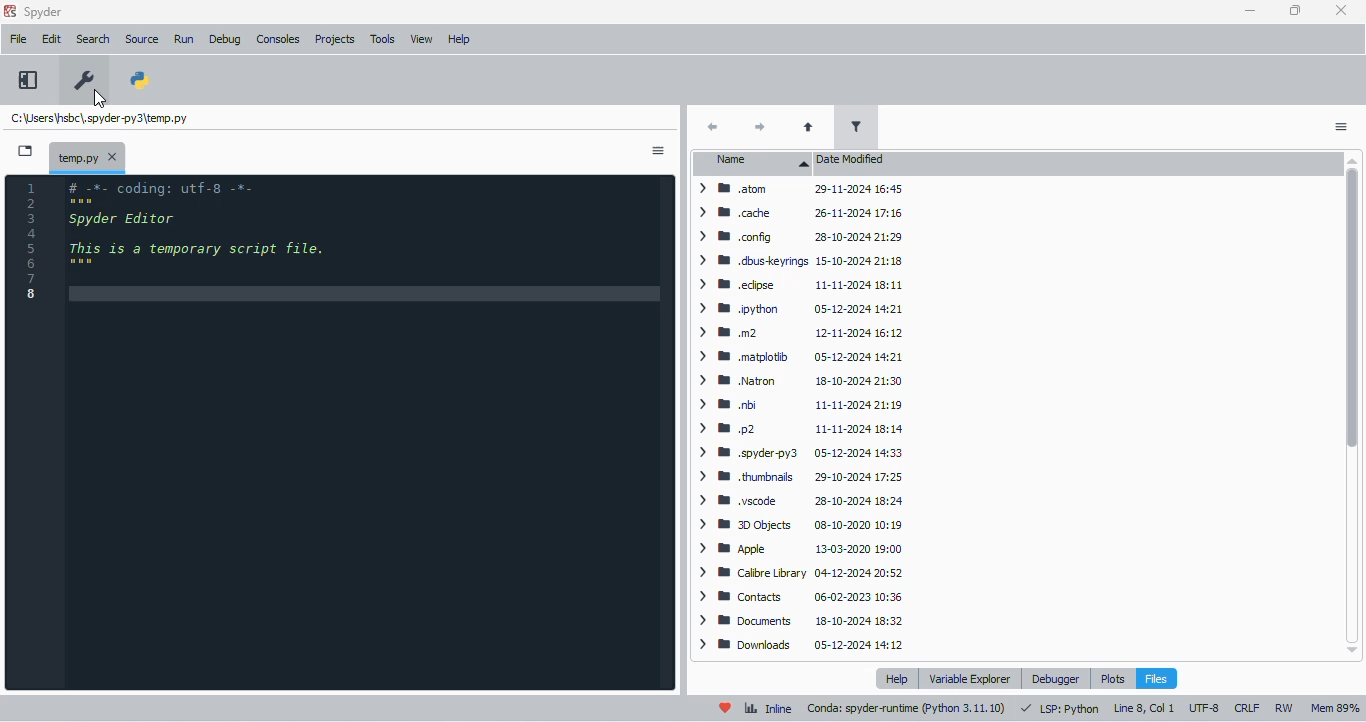  Describe the element at coordinates (1342, 126) in the screenshot. I see `options` at that location.